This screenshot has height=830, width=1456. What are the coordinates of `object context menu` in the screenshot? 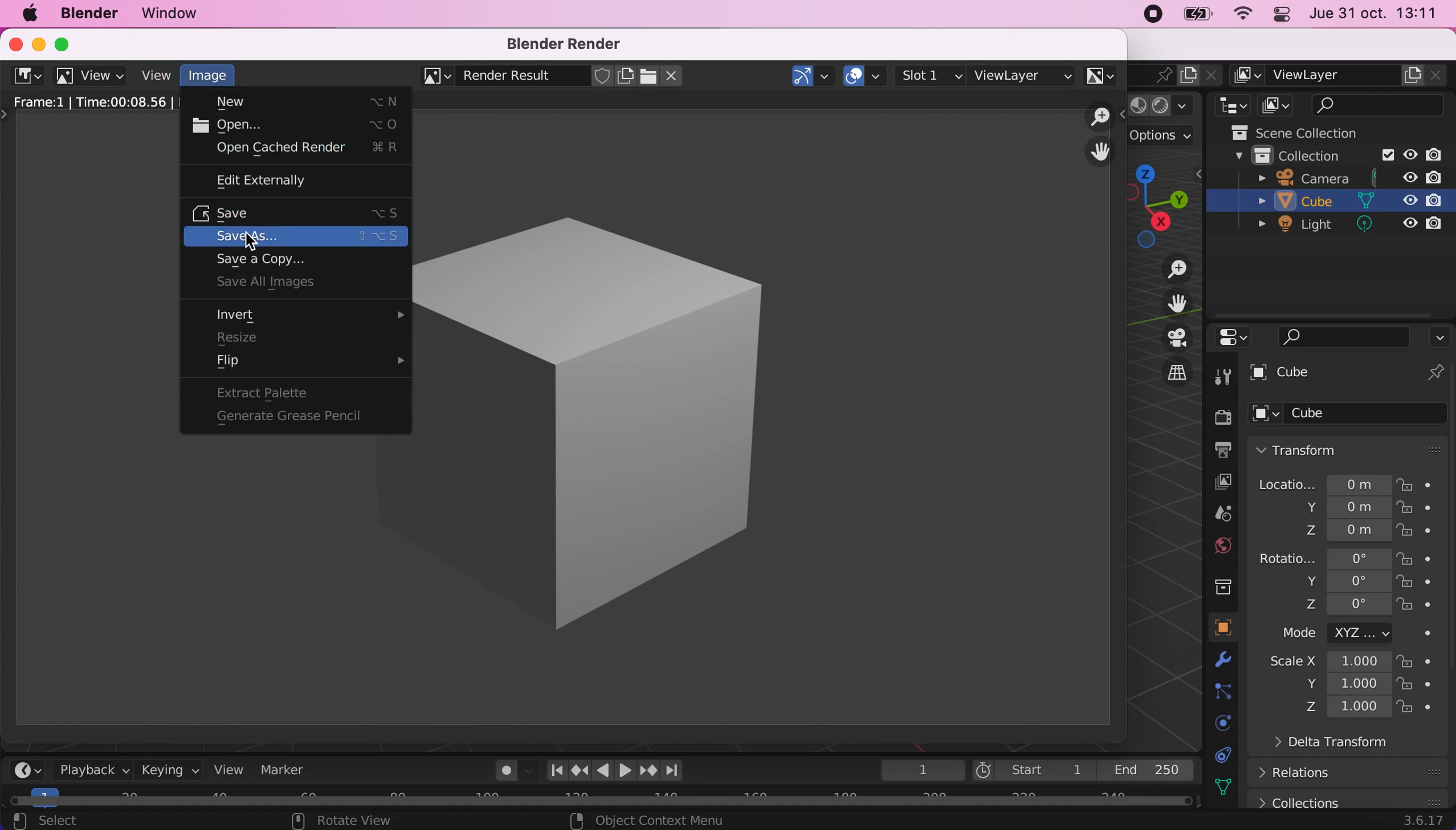 It's located at (650, 820).